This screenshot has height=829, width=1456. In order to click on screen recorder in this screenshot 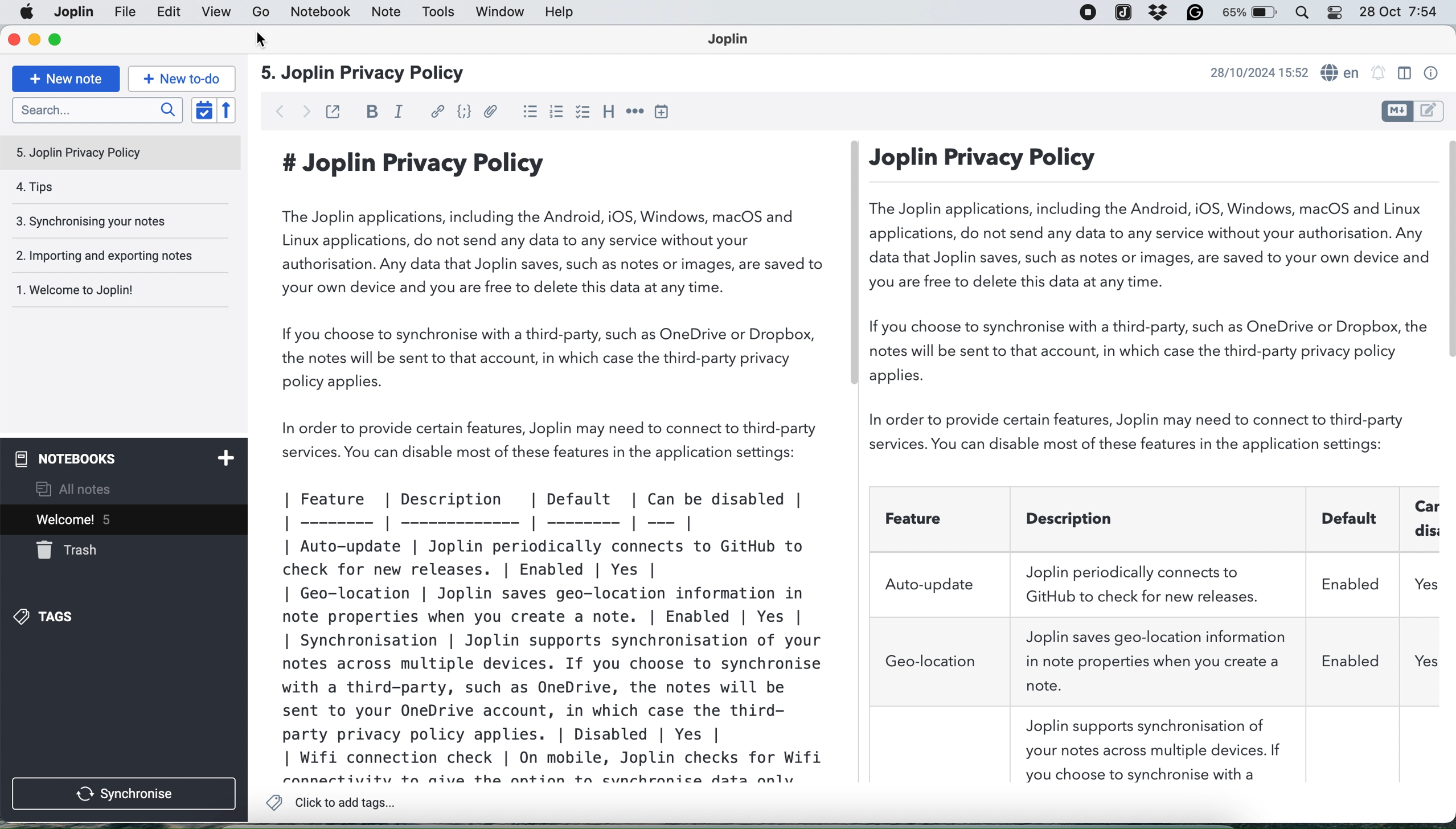, I will do `click(1087, 14)`.